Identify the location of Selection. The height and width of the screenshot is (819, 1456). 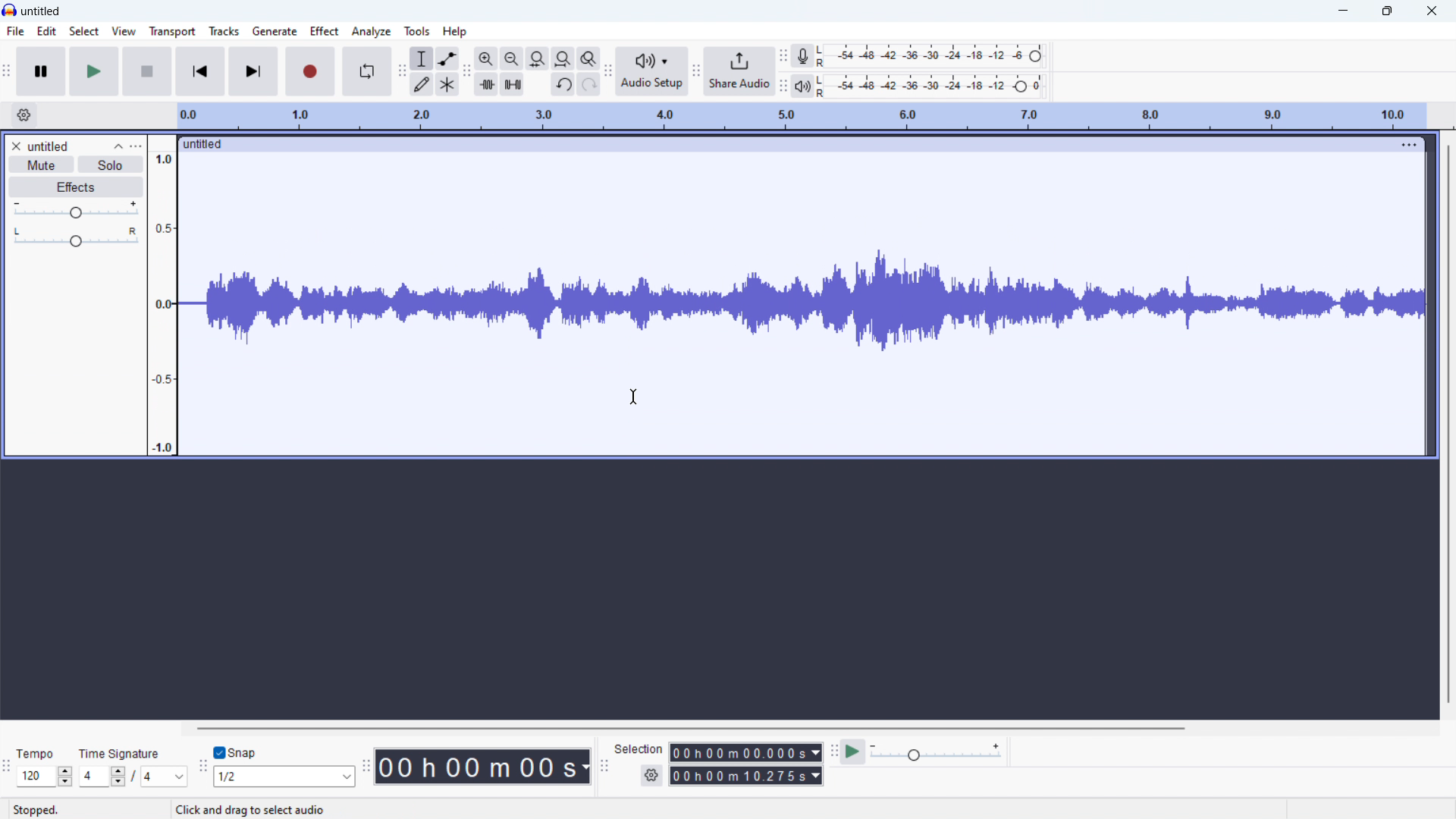
(640, 748).